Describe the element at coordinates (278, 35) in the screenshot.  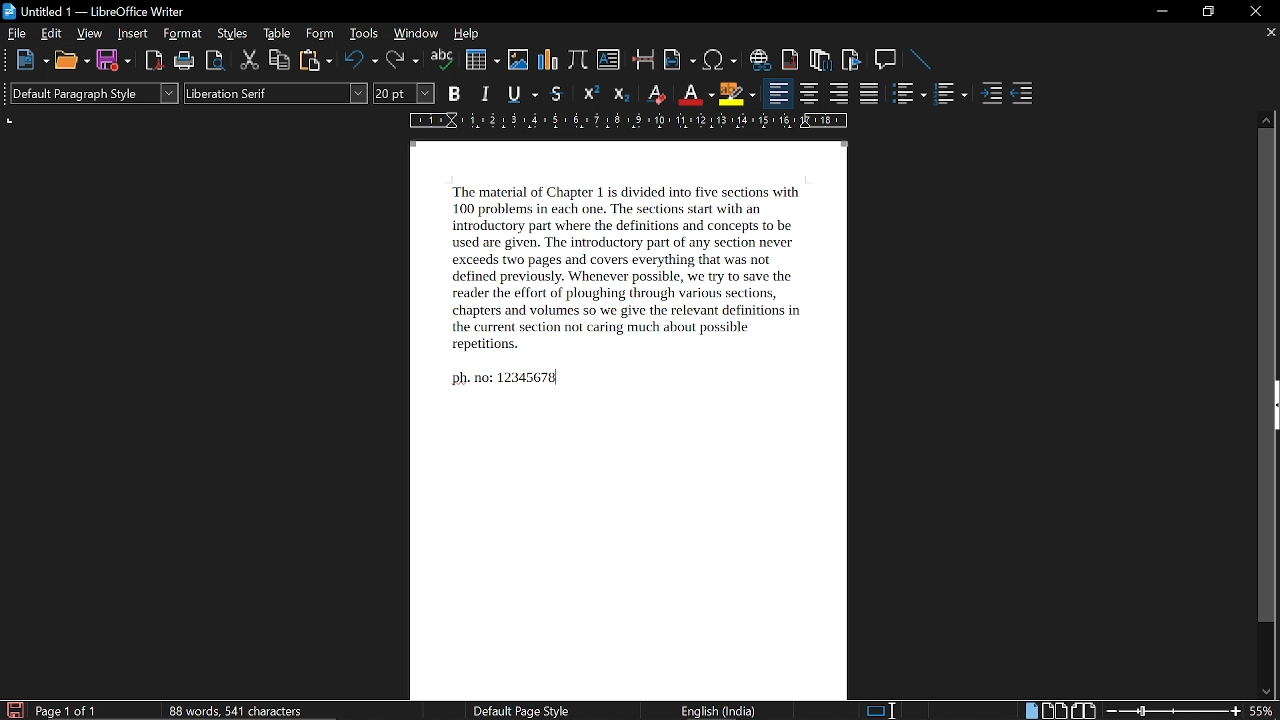
I see `table` at that location.